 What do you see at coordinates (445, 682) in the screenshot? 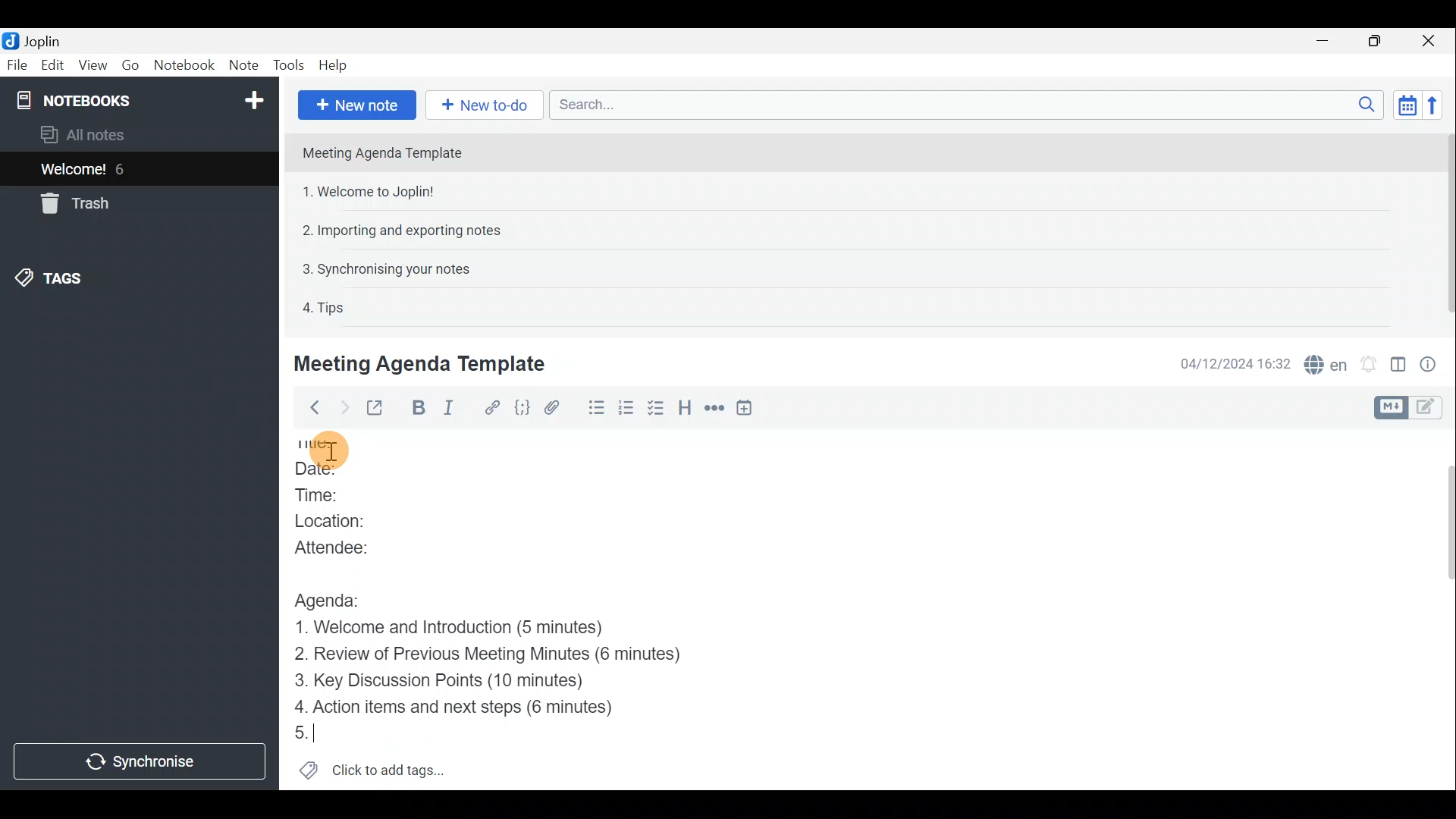
I see `Key Discussion Points (10 minutes)` at bounding box center [445, 682].